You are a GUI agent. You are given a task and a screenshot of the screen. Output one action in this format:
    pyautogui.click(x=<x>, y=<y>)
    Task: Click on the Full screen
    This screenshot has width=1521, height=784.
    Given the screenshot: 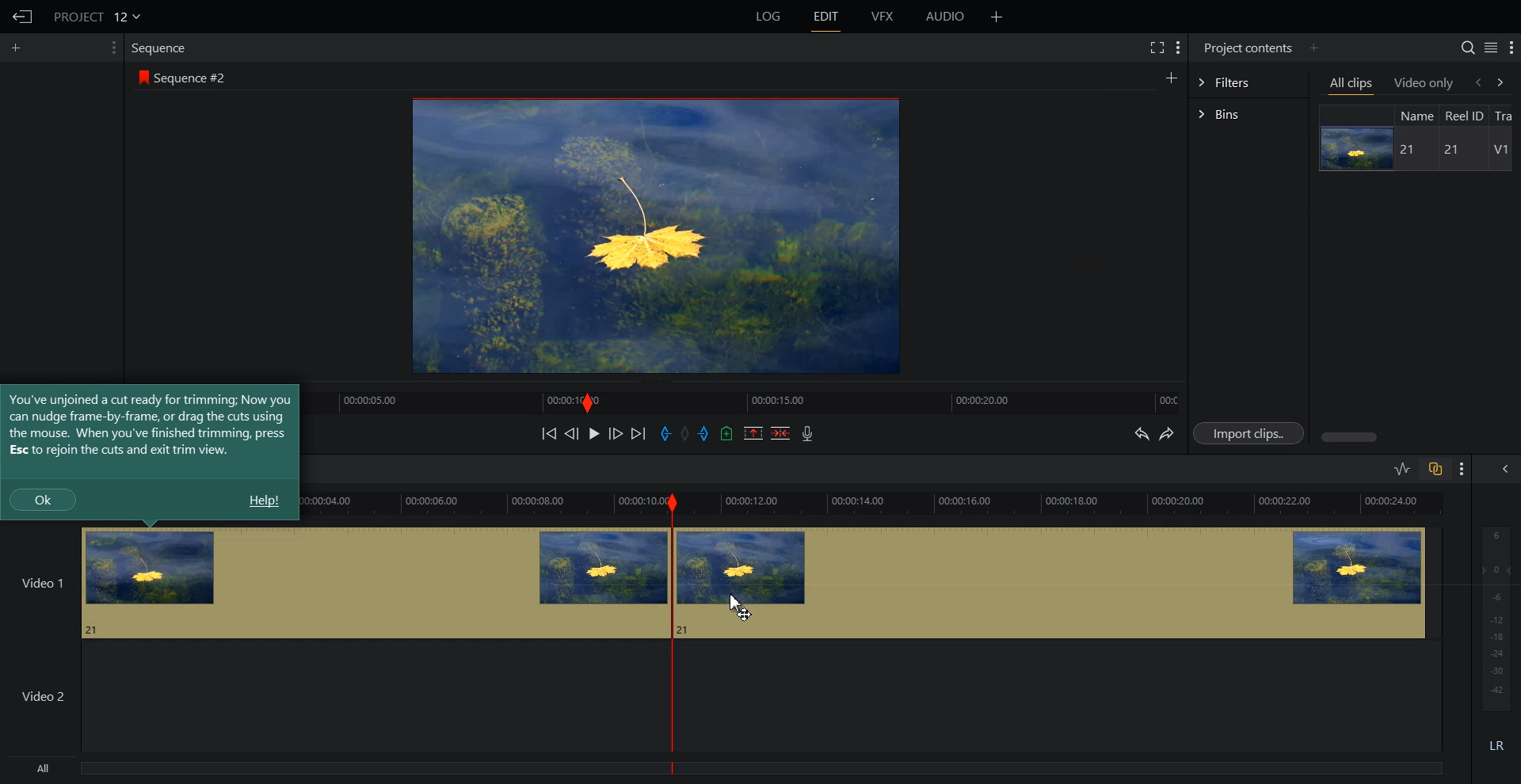 What is the action you would take?
    pyautogui.click(x=1156, y=47)
    